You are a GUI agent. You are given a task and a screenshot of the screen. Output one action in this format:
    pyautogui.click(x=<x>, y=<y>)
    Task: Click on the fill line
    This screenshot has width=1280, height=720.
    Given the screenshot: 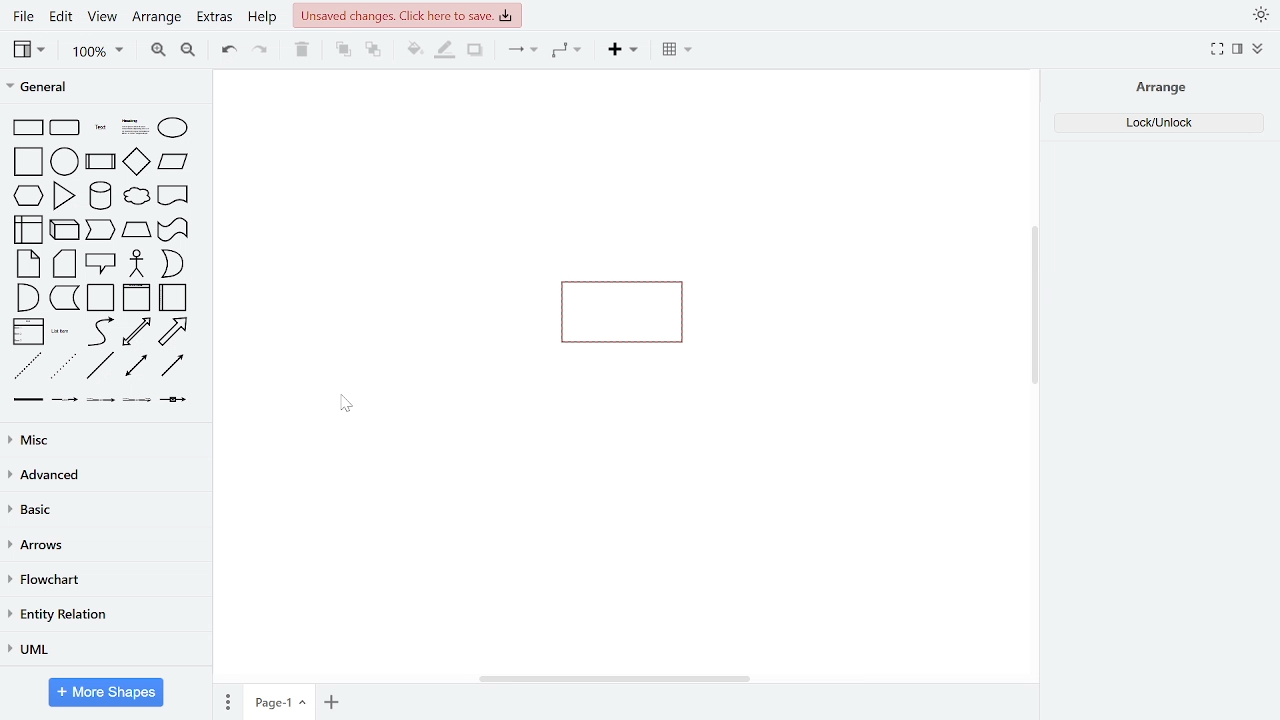 What is the action you would take?
    pyautogui.click(x=446, y=50)
    